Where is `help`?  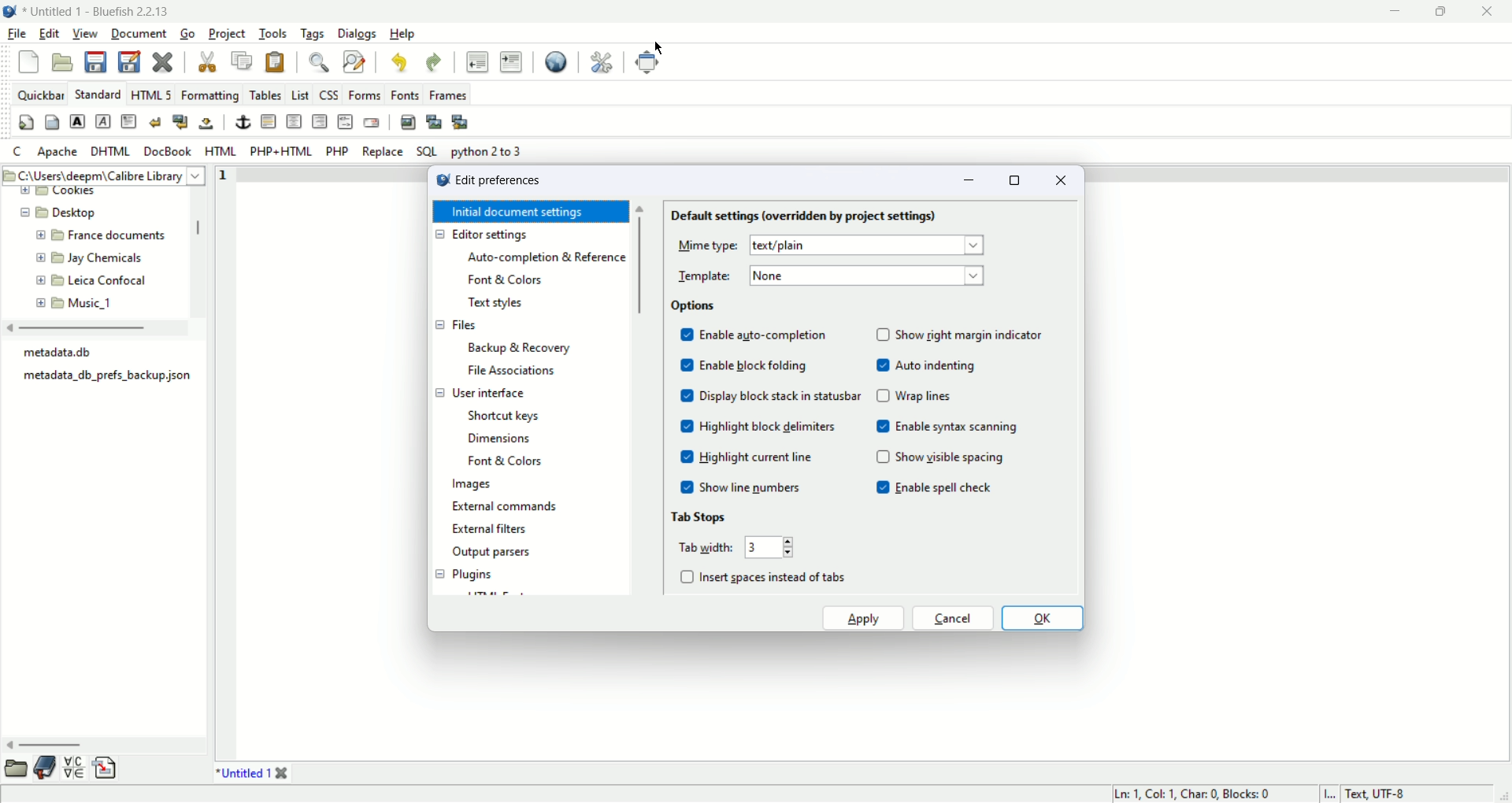 help is located at coordinates (402, 35).